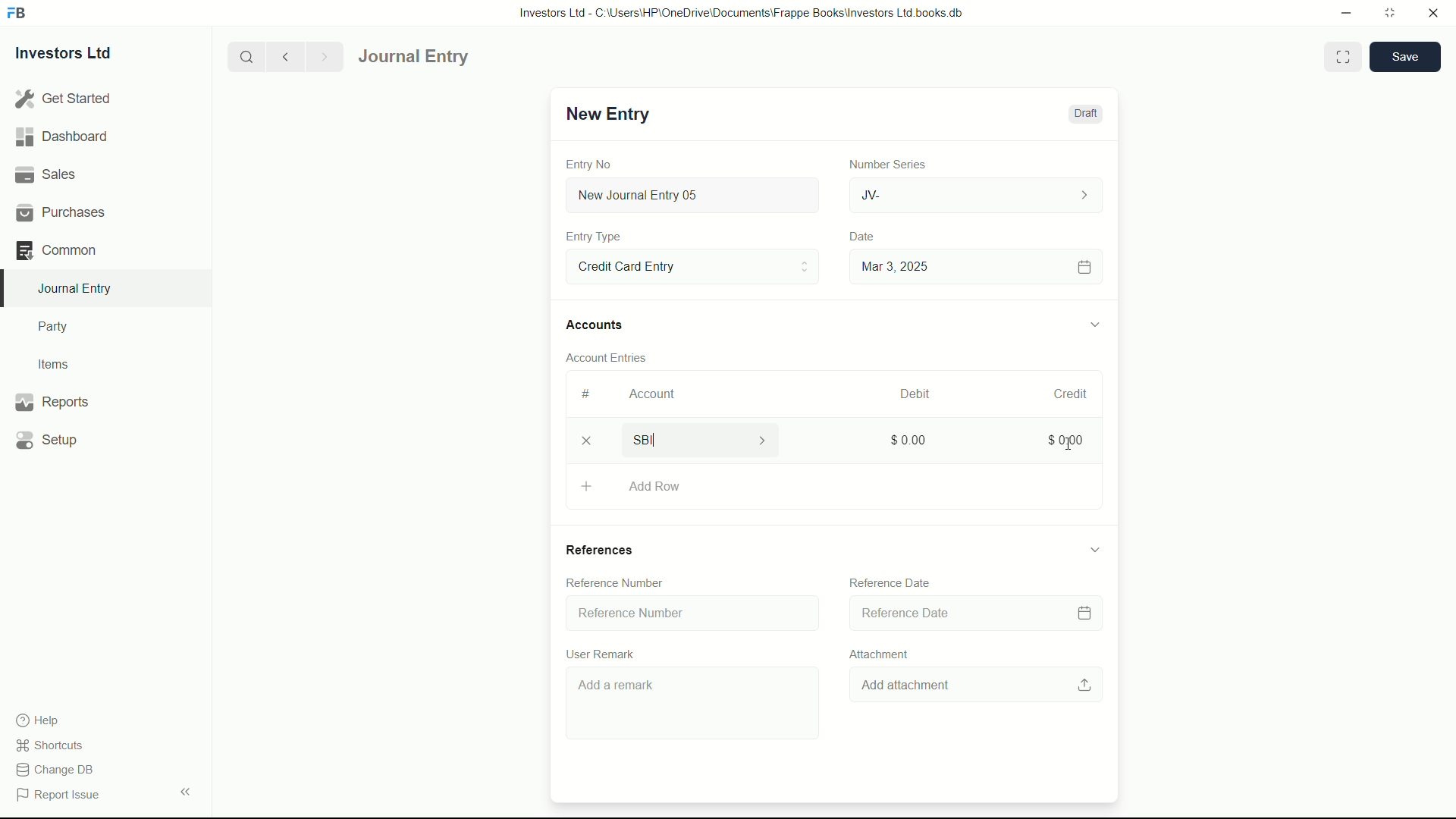 Image resolution: width=1456 pixels, height=819 pixels. What do you see at coordinates (1068, 446) in the screenshot?
I see `cursor` at bounding box center [1068, 446].